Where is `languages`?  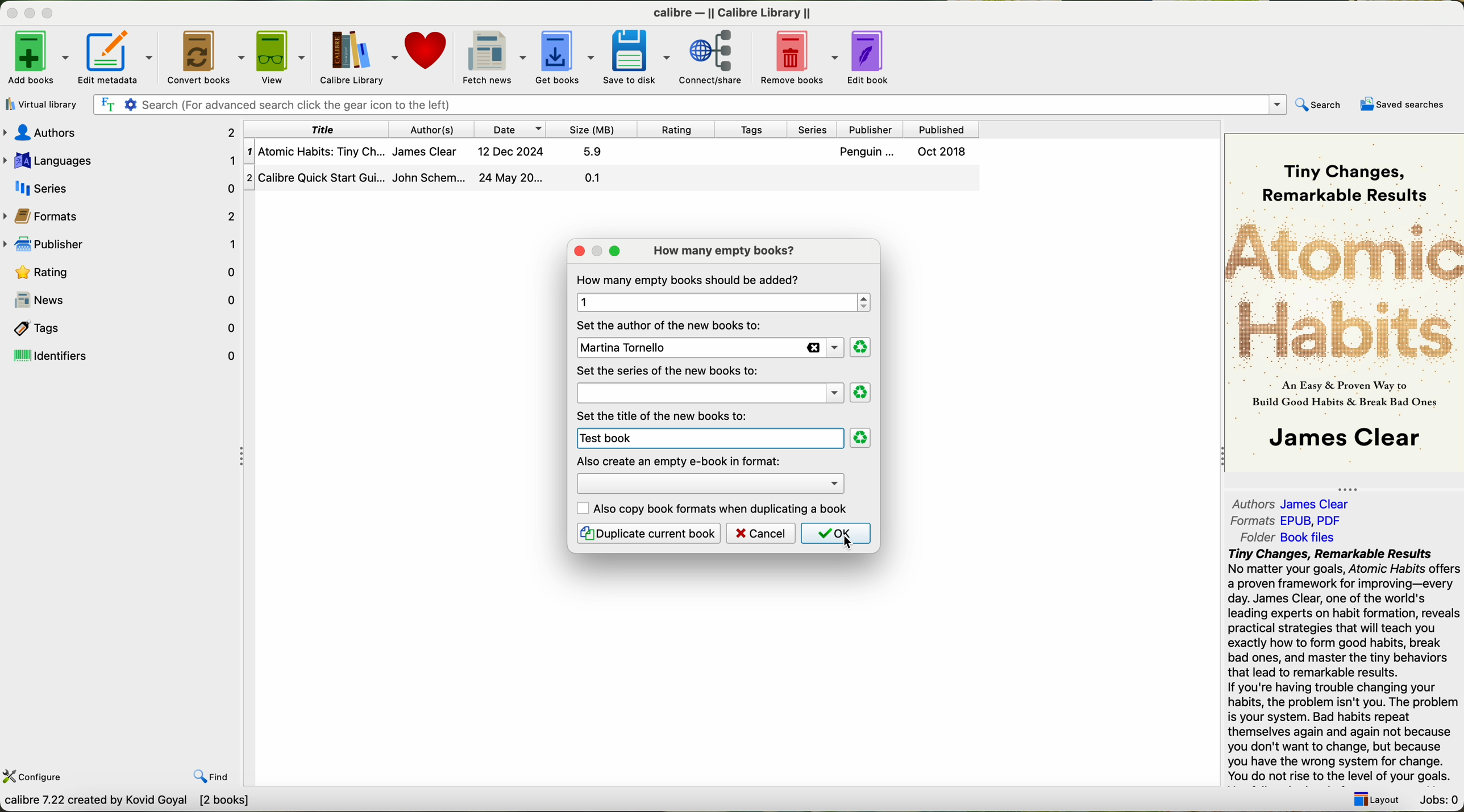
languages is located at coordinates (121, 159).